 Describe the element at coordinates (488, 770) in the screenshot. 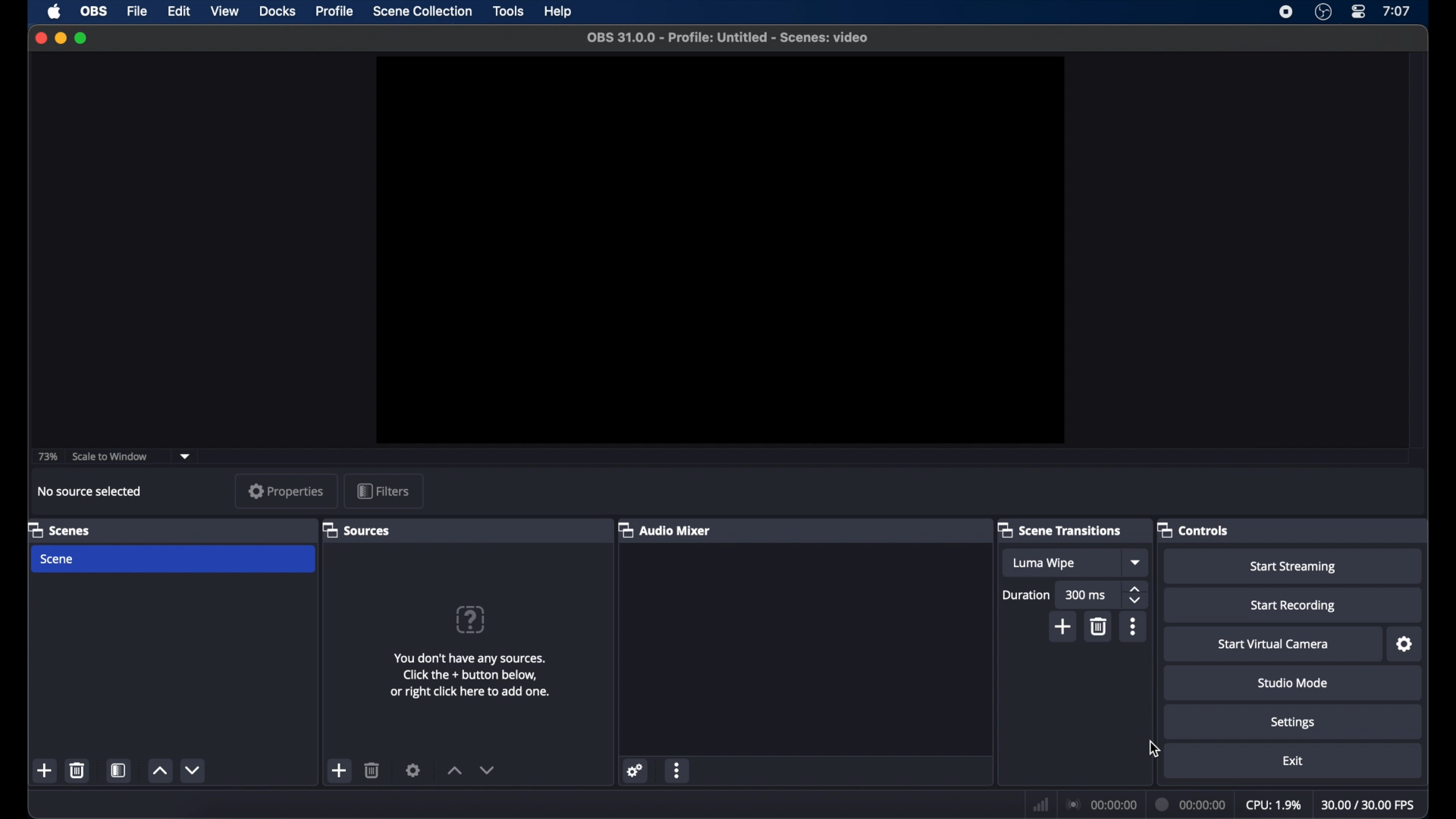

I see `decrement` at that location.